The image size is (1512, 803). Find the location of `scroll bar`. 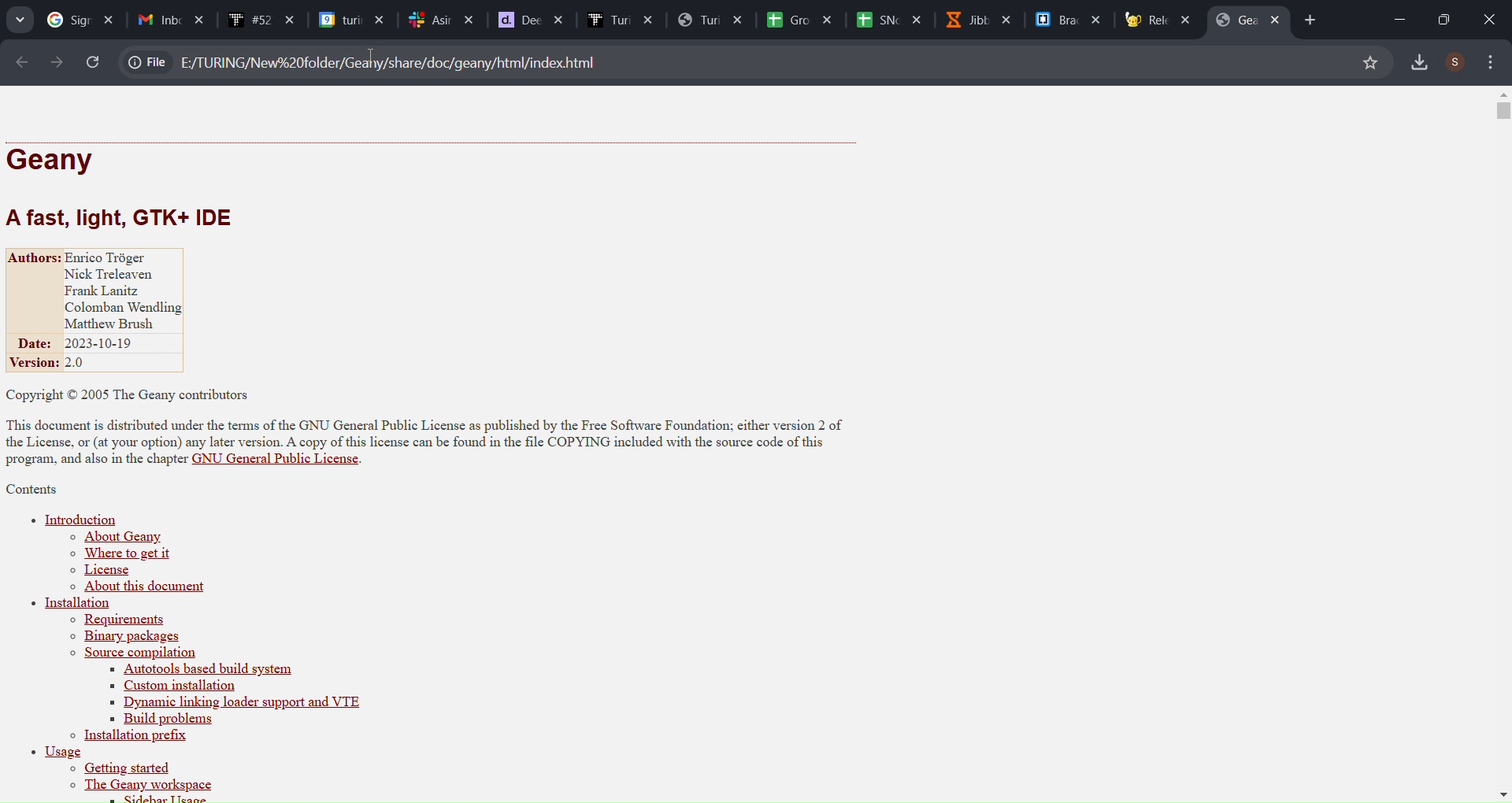

scroll bar is located at coordinates (1499, 113).